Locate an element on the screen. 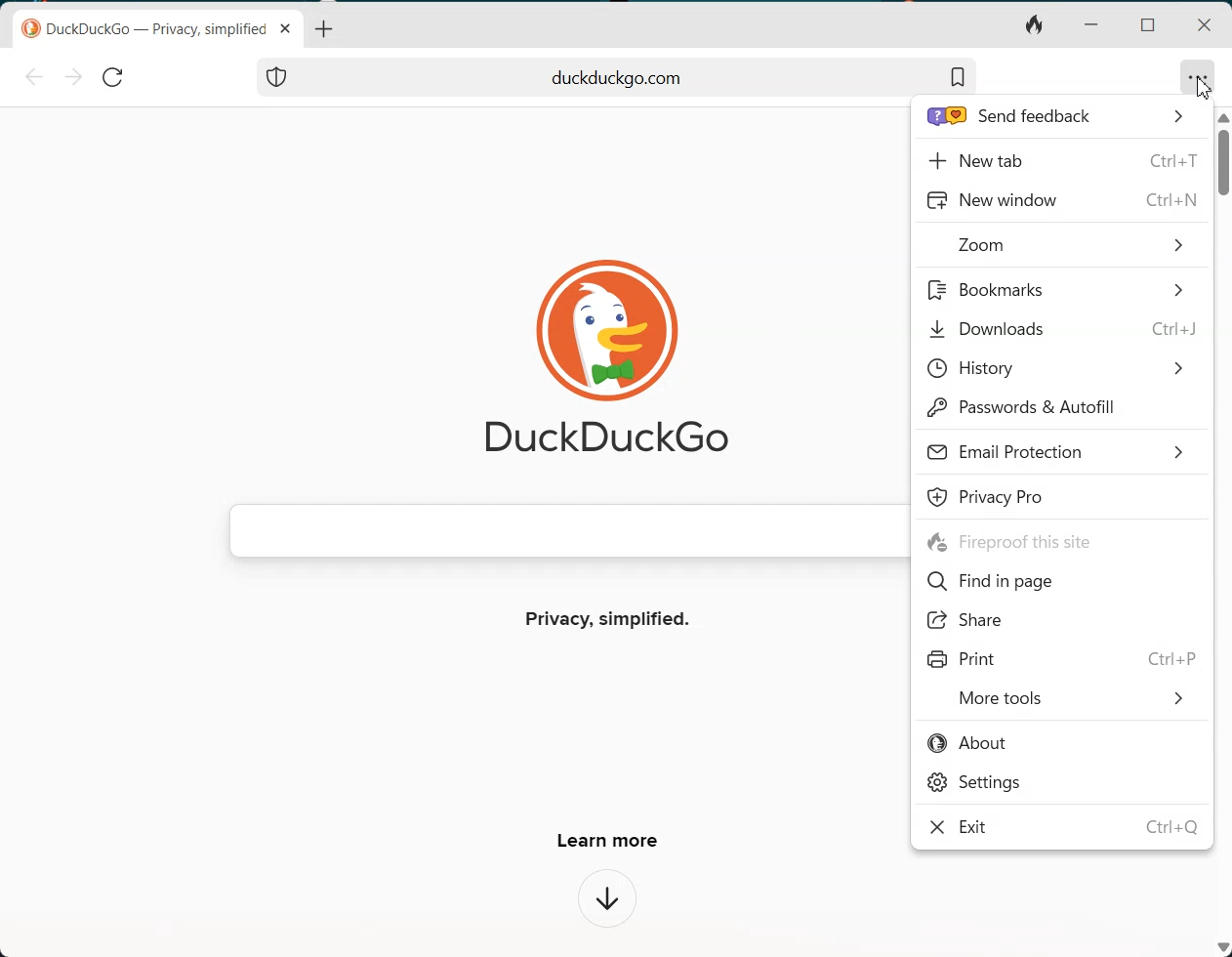 Image resolution: width=1232 pixels, height=957 pixels. Search bar is located at coordinates (617, 77).